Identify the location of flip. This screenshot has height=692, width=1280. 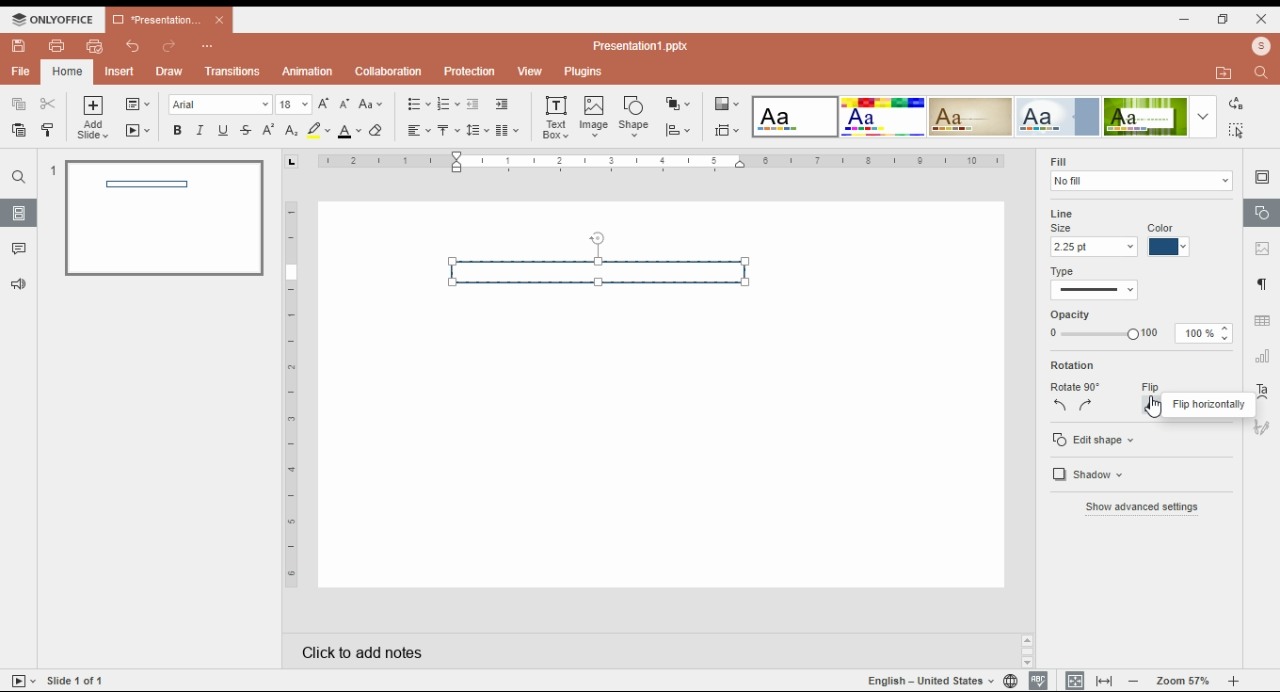
(1150, 387).